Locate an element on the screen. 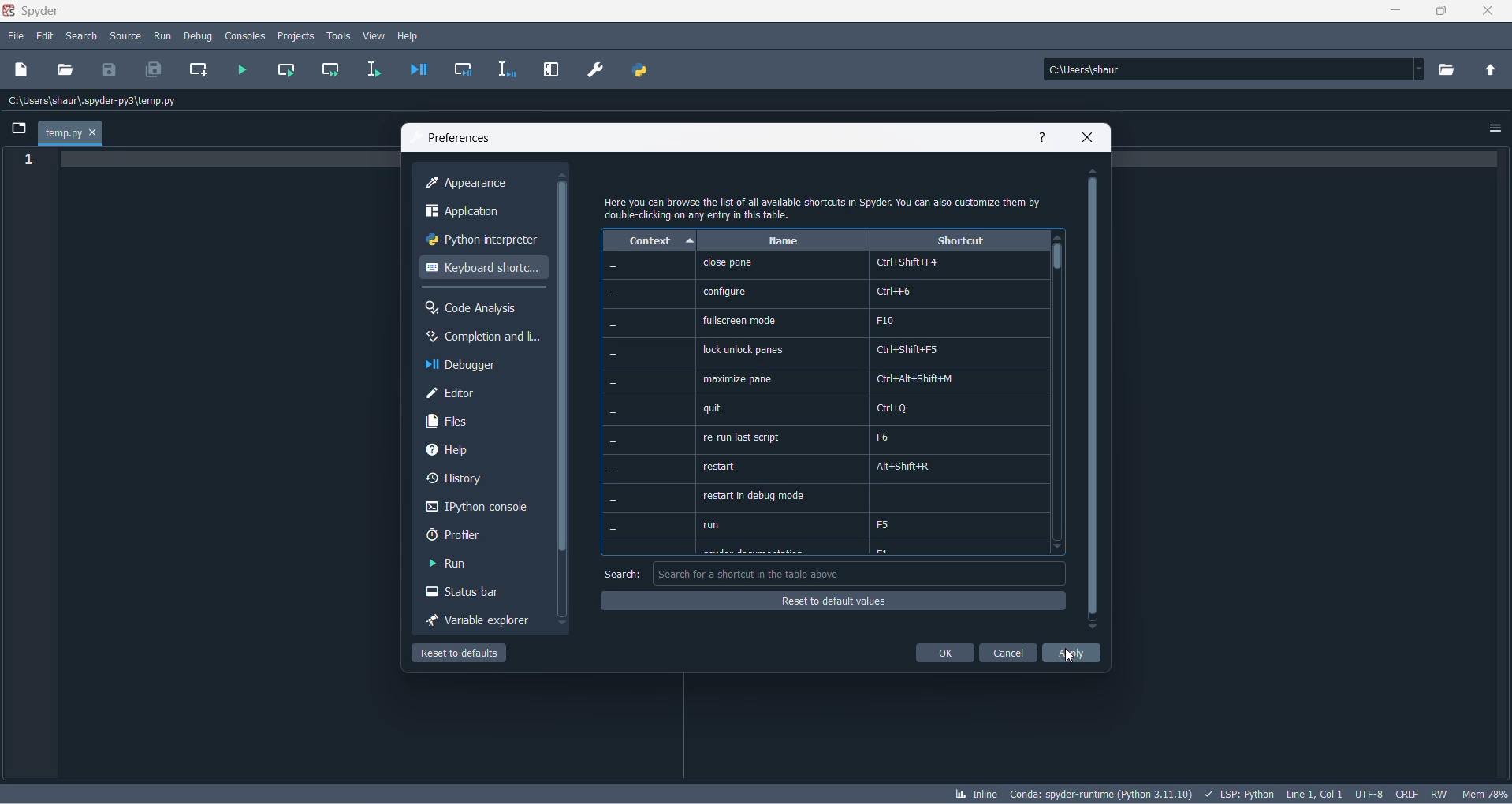  run selection is located at coordinates (371, 70).